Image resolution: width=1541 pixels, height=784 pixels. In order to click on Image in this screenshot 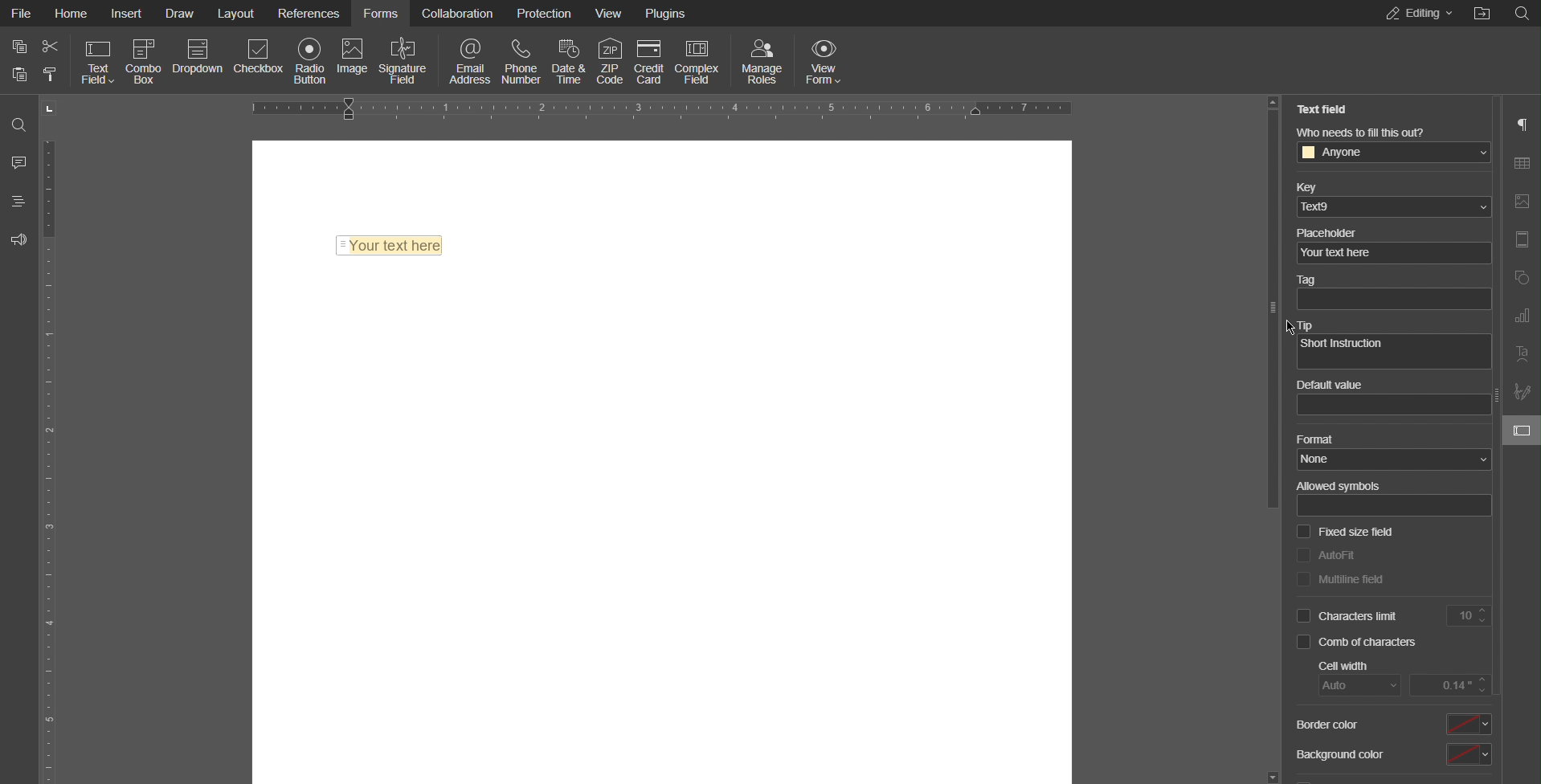, I will do `click(354, 59)`.